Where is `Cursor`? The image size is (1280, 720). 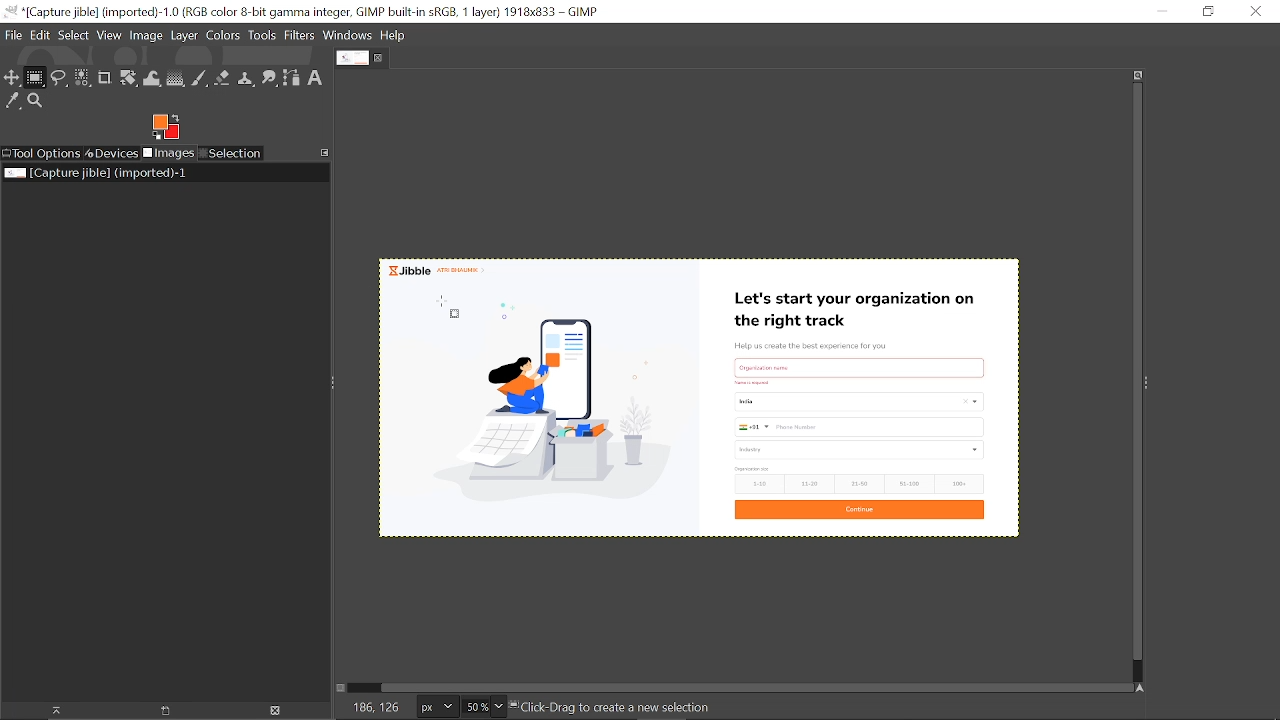 Cursor is located at coordinates (452, 306).